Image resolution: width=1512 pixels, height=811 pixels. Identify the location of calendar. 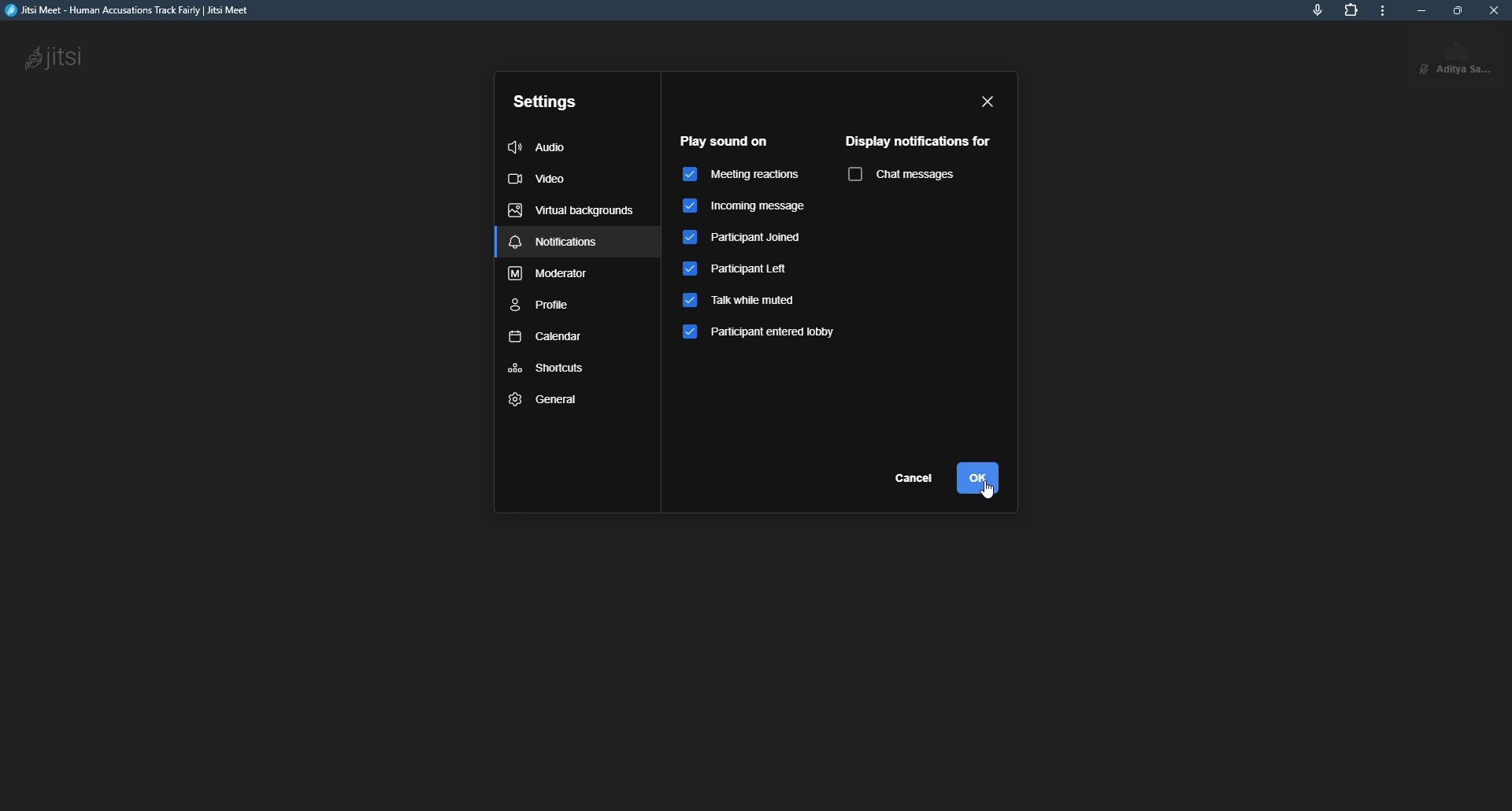
(548, 338).